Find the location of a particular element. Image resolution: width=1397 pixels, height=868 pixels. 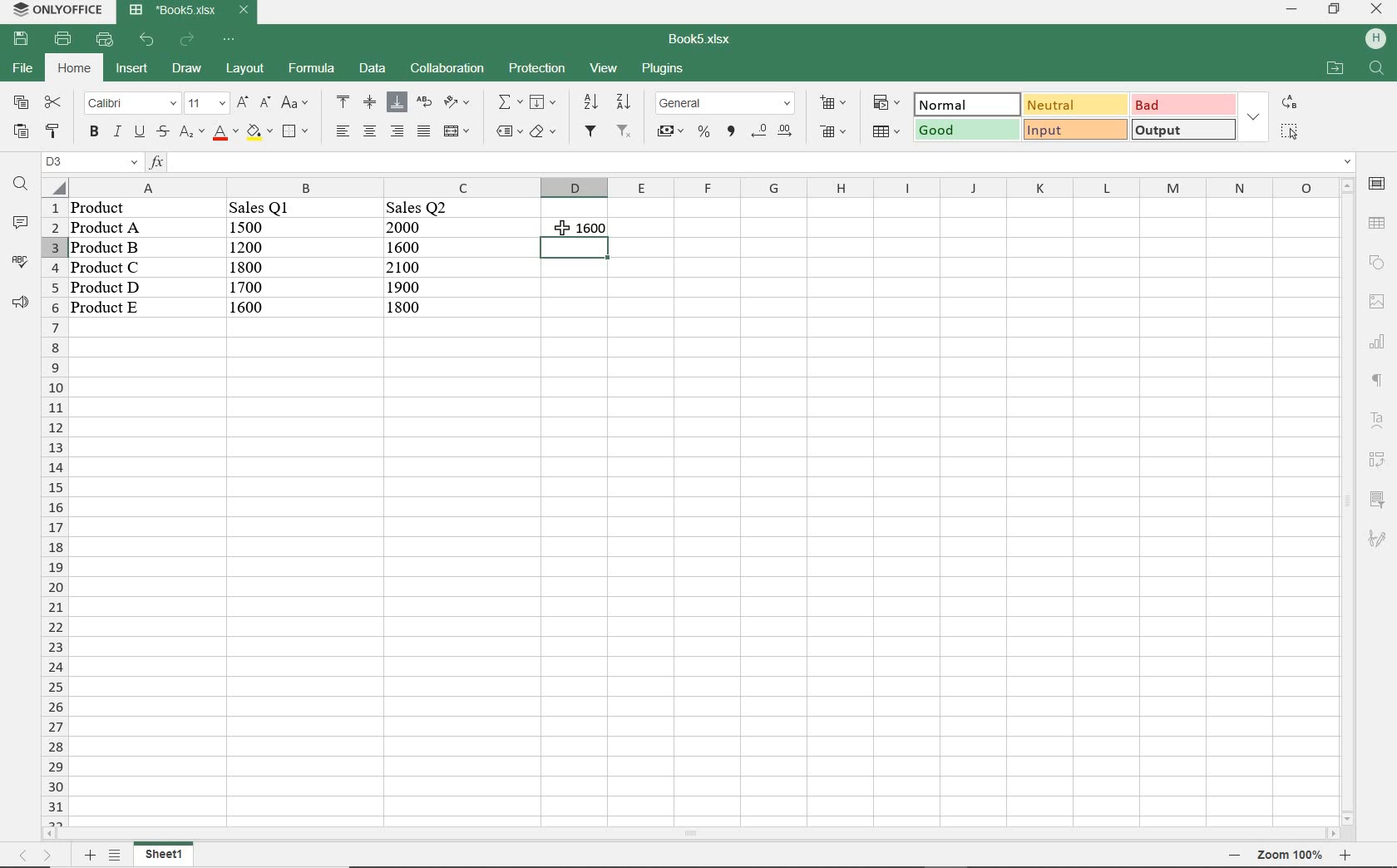

summation is located at coordinates (506, 102).